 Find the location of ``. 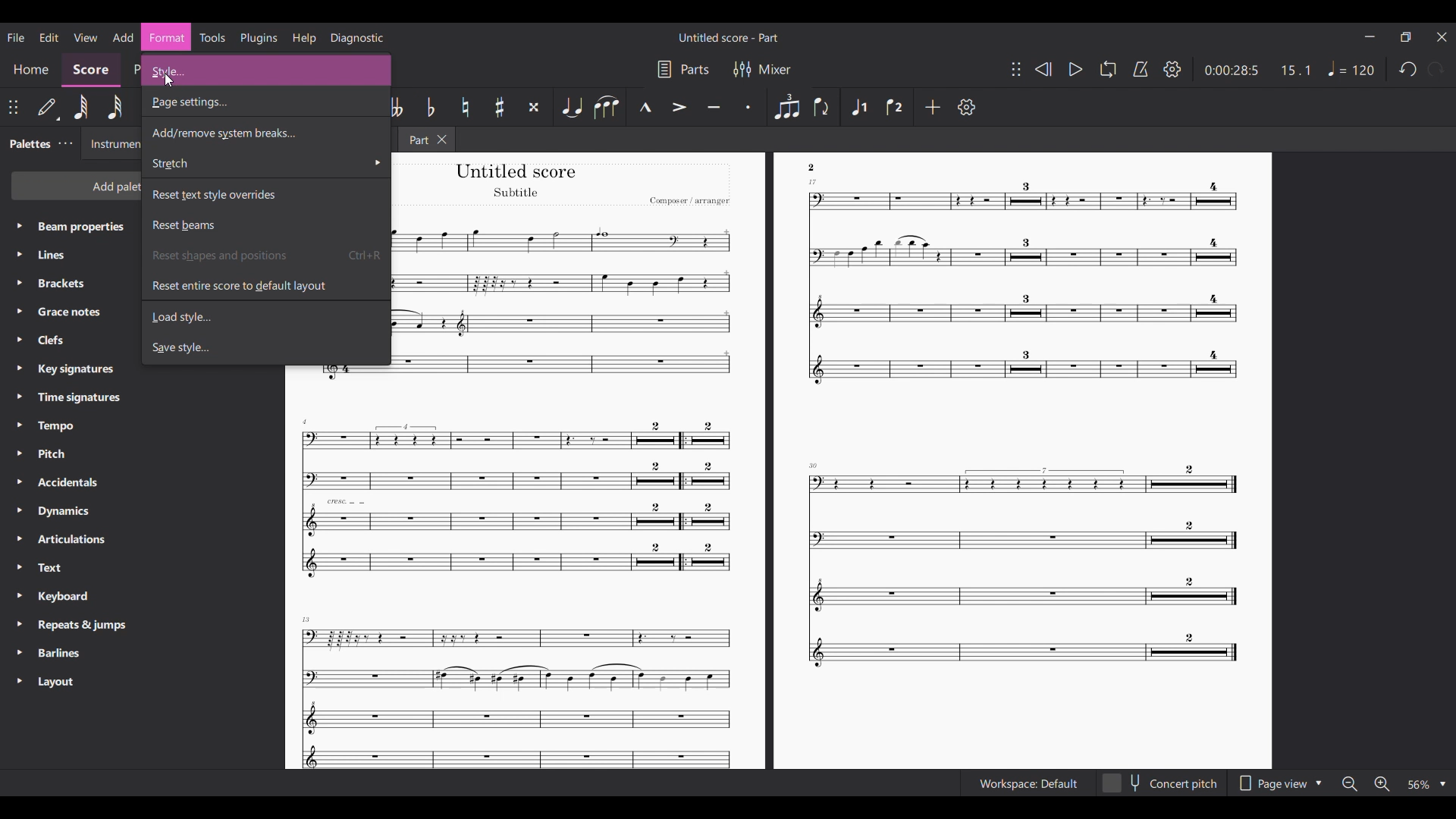

 is located at coordinates (519, 194).